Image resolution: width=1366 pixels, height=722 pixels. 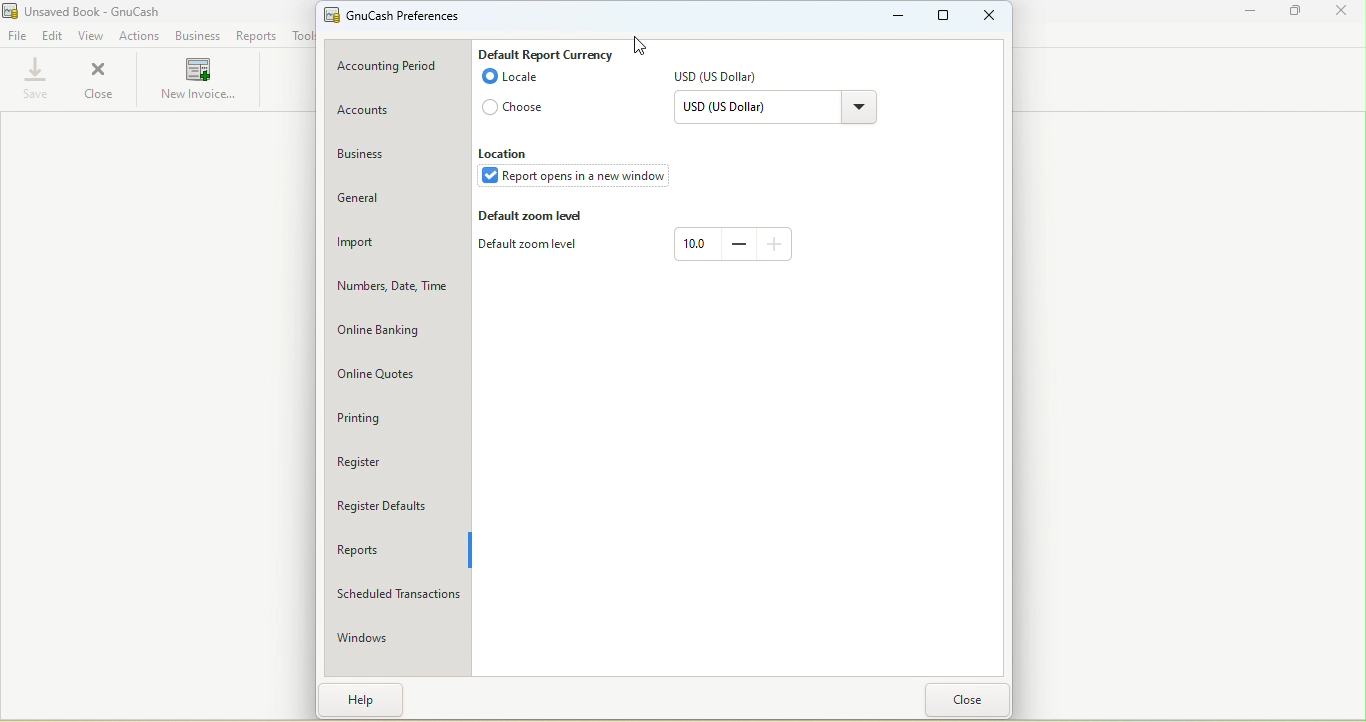 I want to click on New invoice, so click(x=198, y=81).